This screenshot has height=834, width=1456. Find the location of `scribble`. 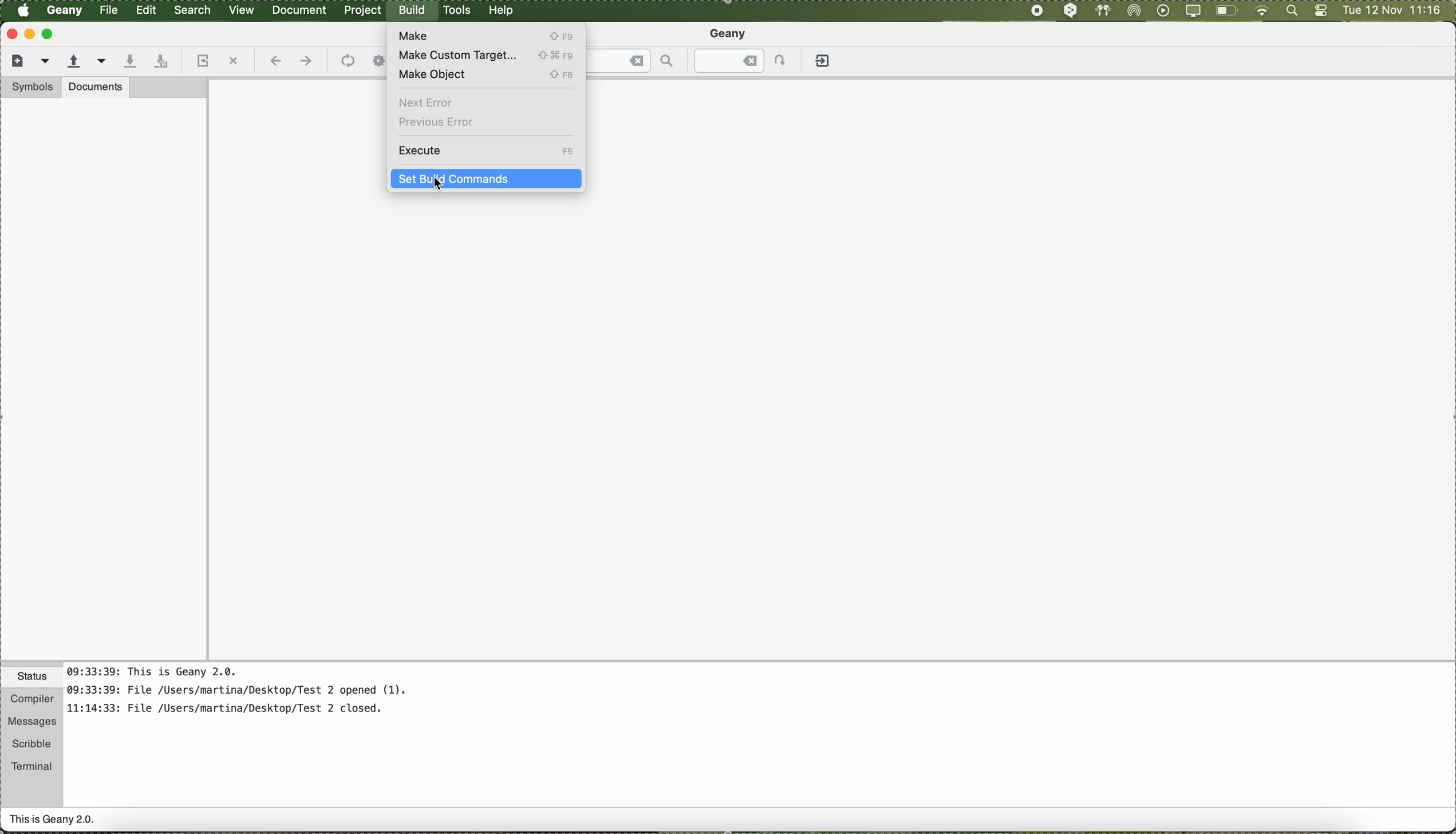

scribble is located at coordinates (32, 744).